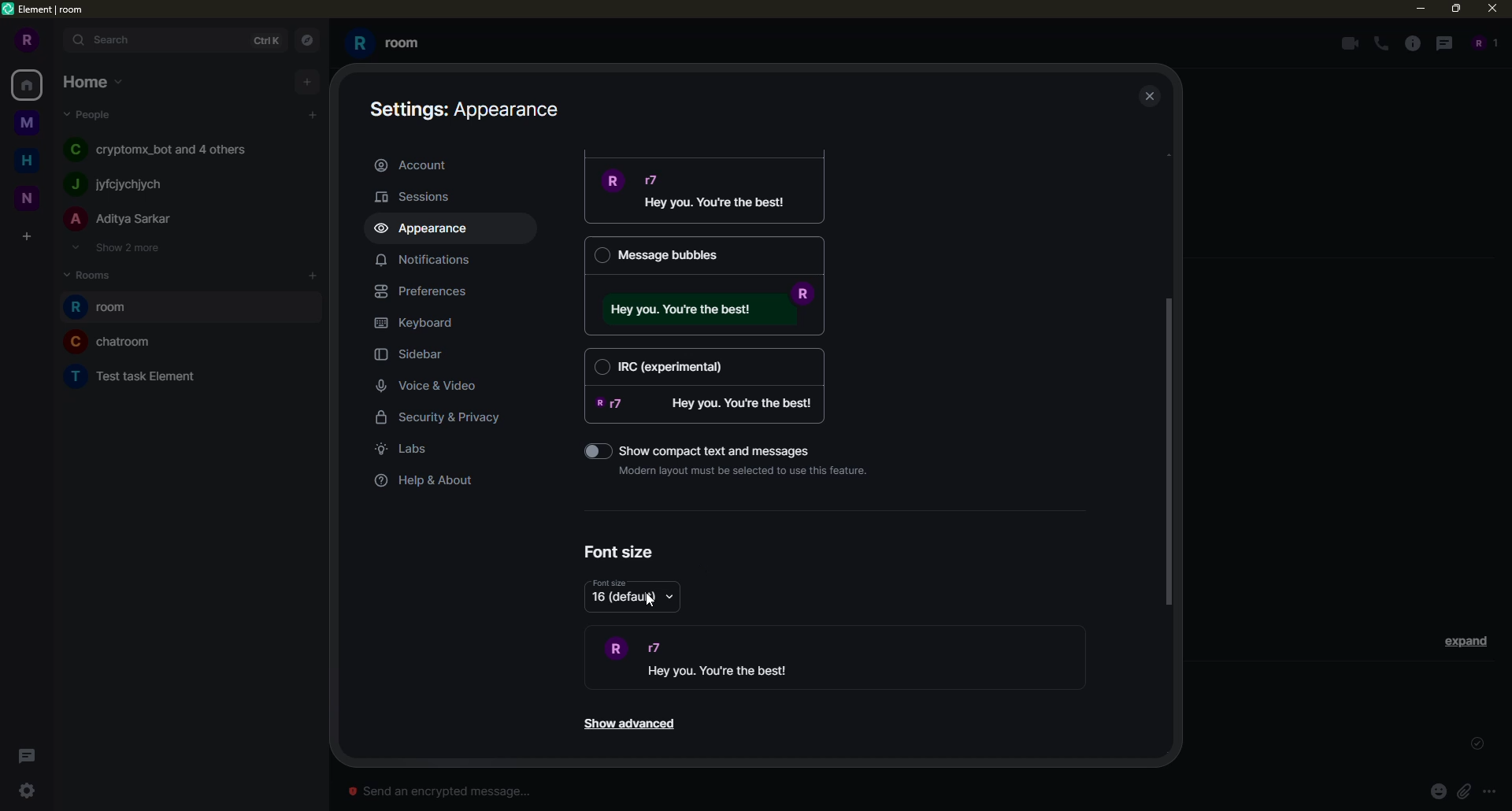 The height and width of the screenshot is (811, 1512). Describe the element at coordinates (1438, 791) in the screenshot. I see `emoji` at that location.